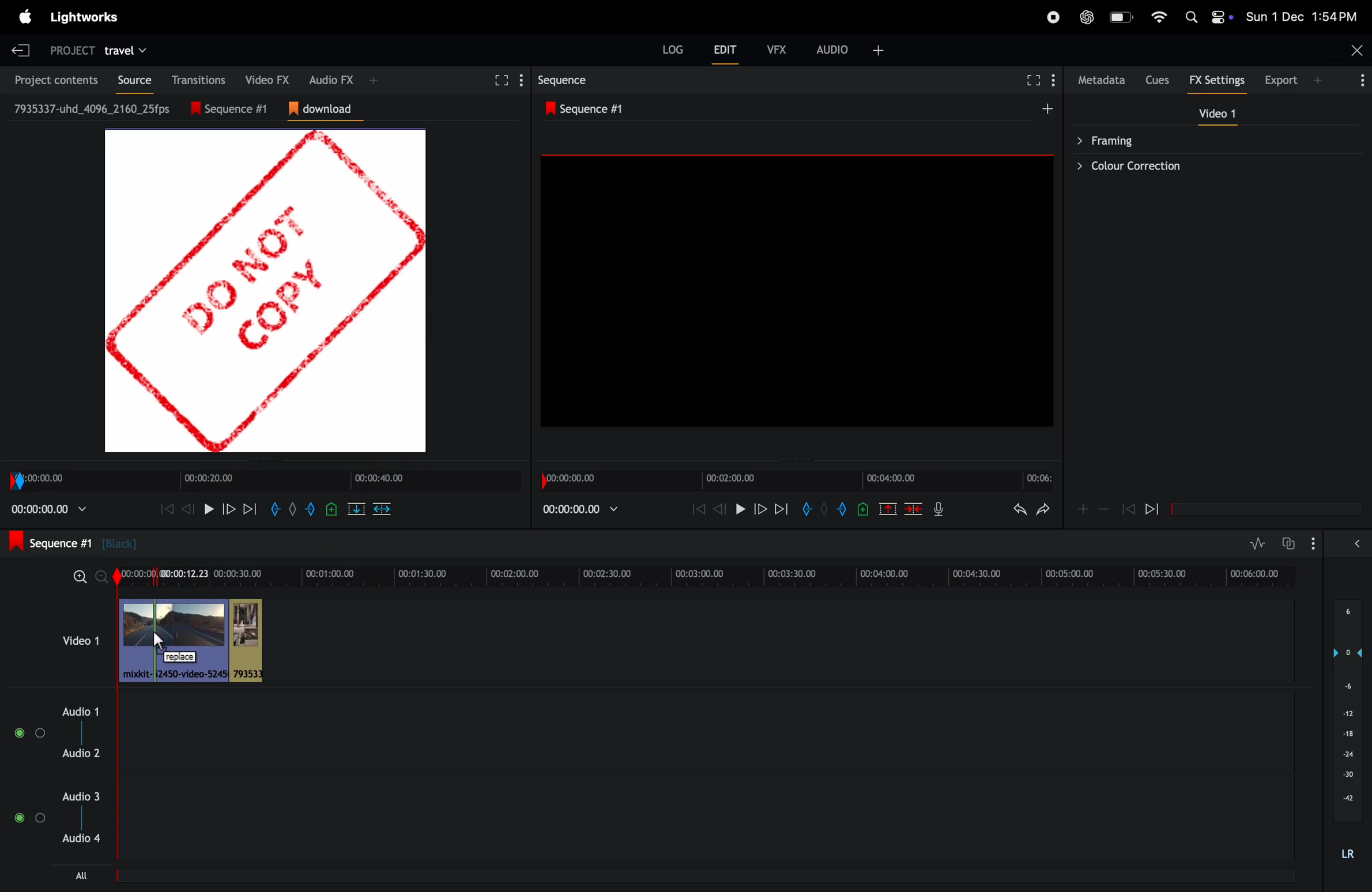  I want to click on Text, so click(1348, 855).